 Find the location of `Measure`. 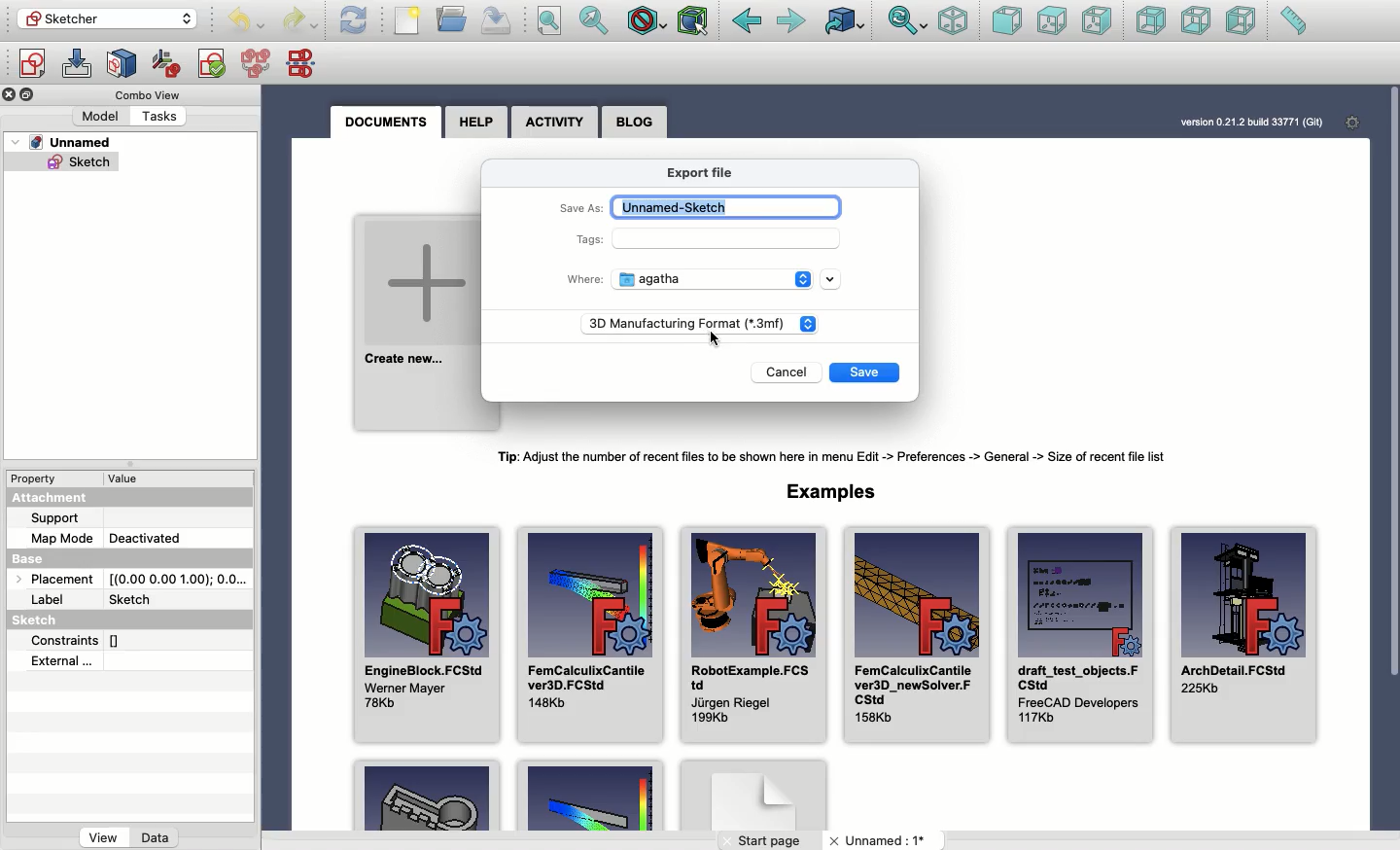

Measure is located at coordinates (1293, 22).